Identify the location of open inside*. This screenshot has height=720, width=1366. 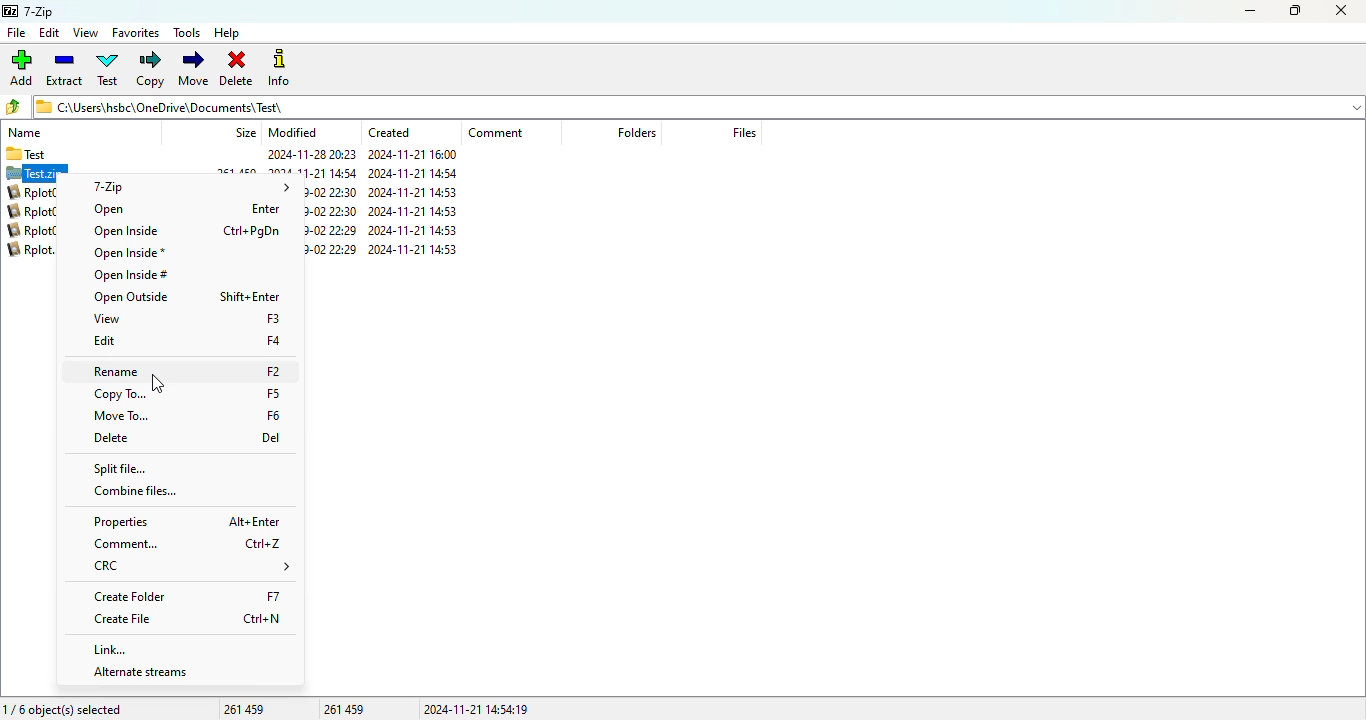
(127, 253).